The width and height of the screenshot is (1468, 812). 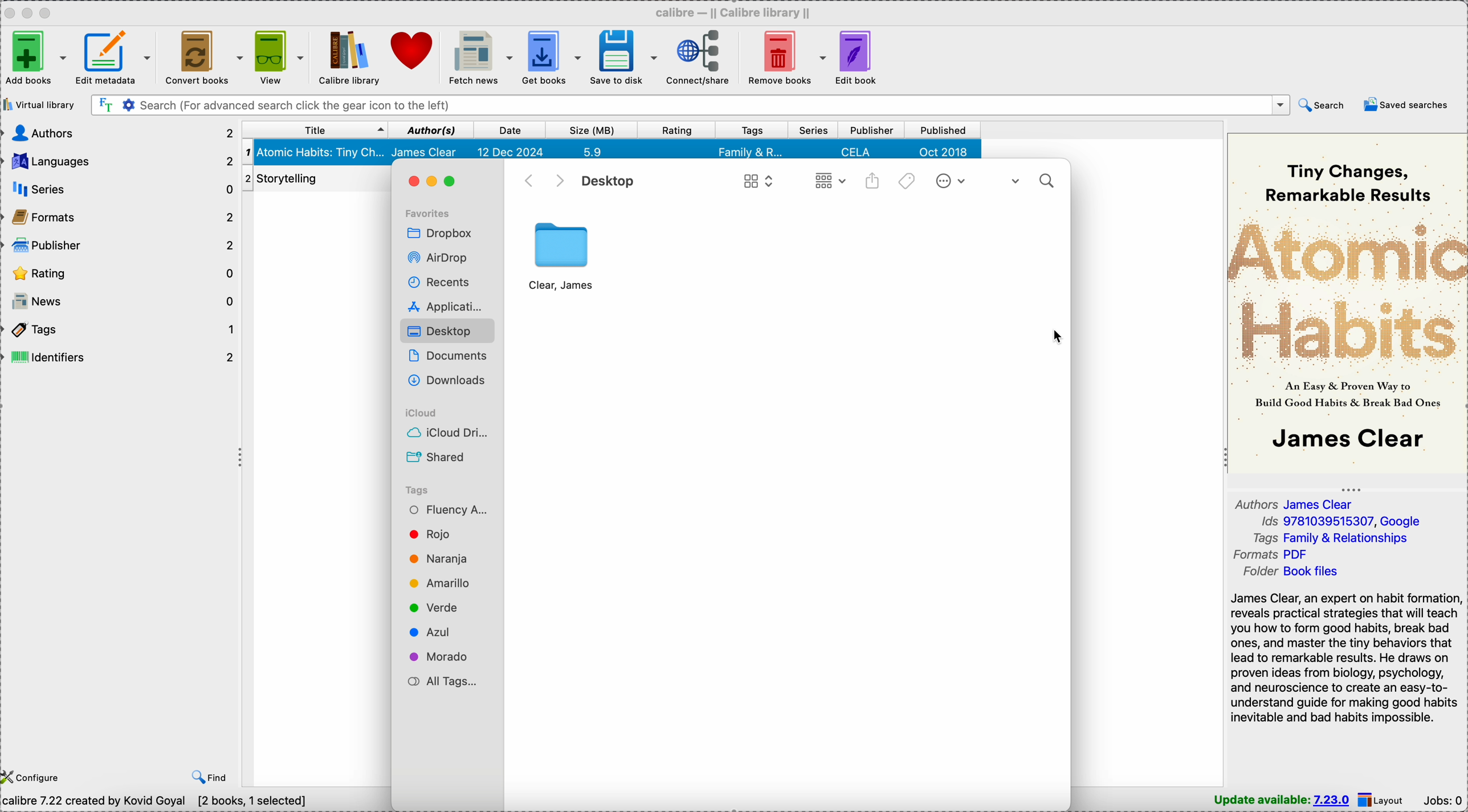 What do you see at coordinates (622, 57) in the screenshot?
I see `save to disk` at bounding box center [622, 57].